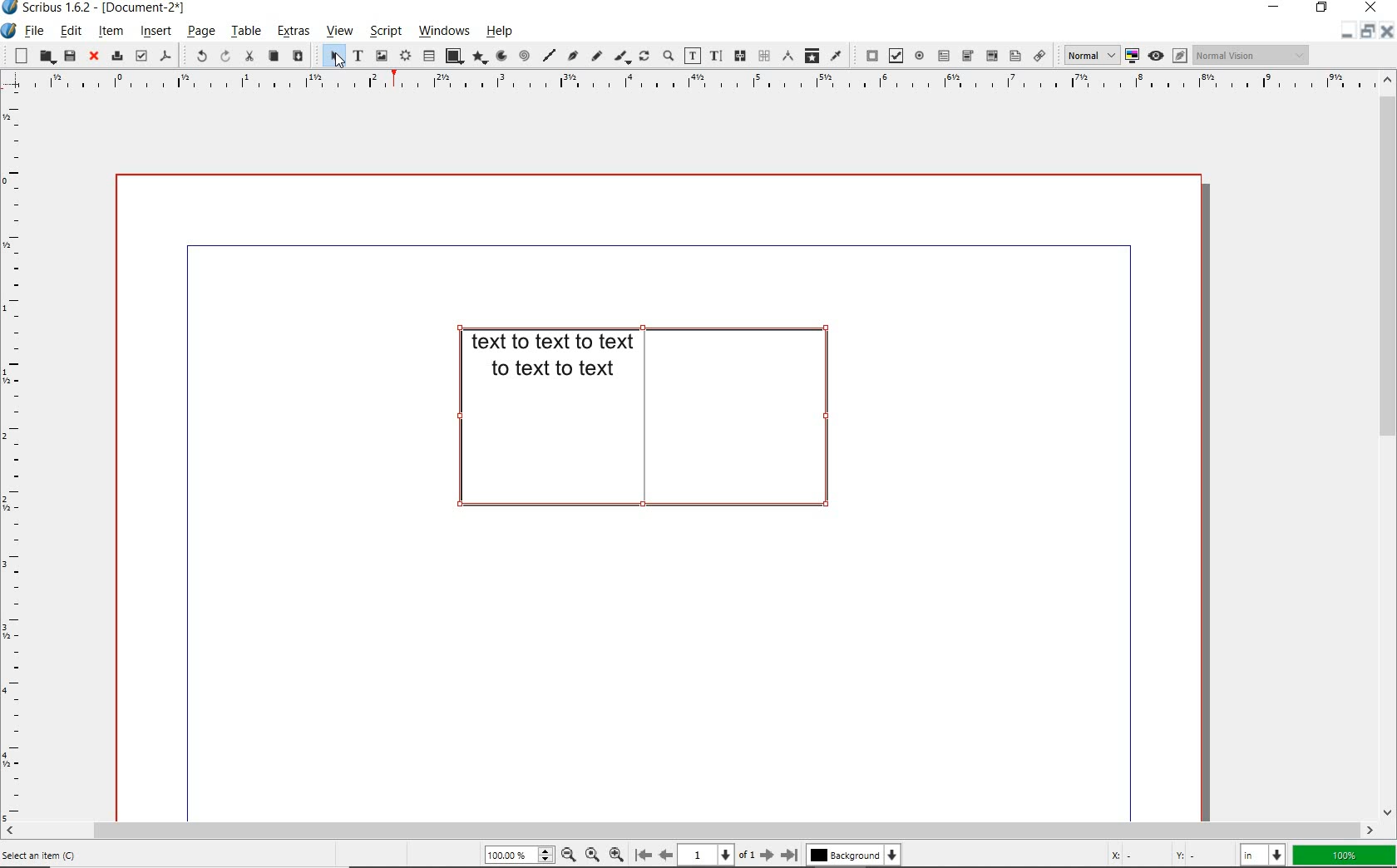 This screenshot has height=868, width=1397. What do you see at coordinates (666, 854) in the screenshot?
I see `go back` at bounding box center [666, 854].